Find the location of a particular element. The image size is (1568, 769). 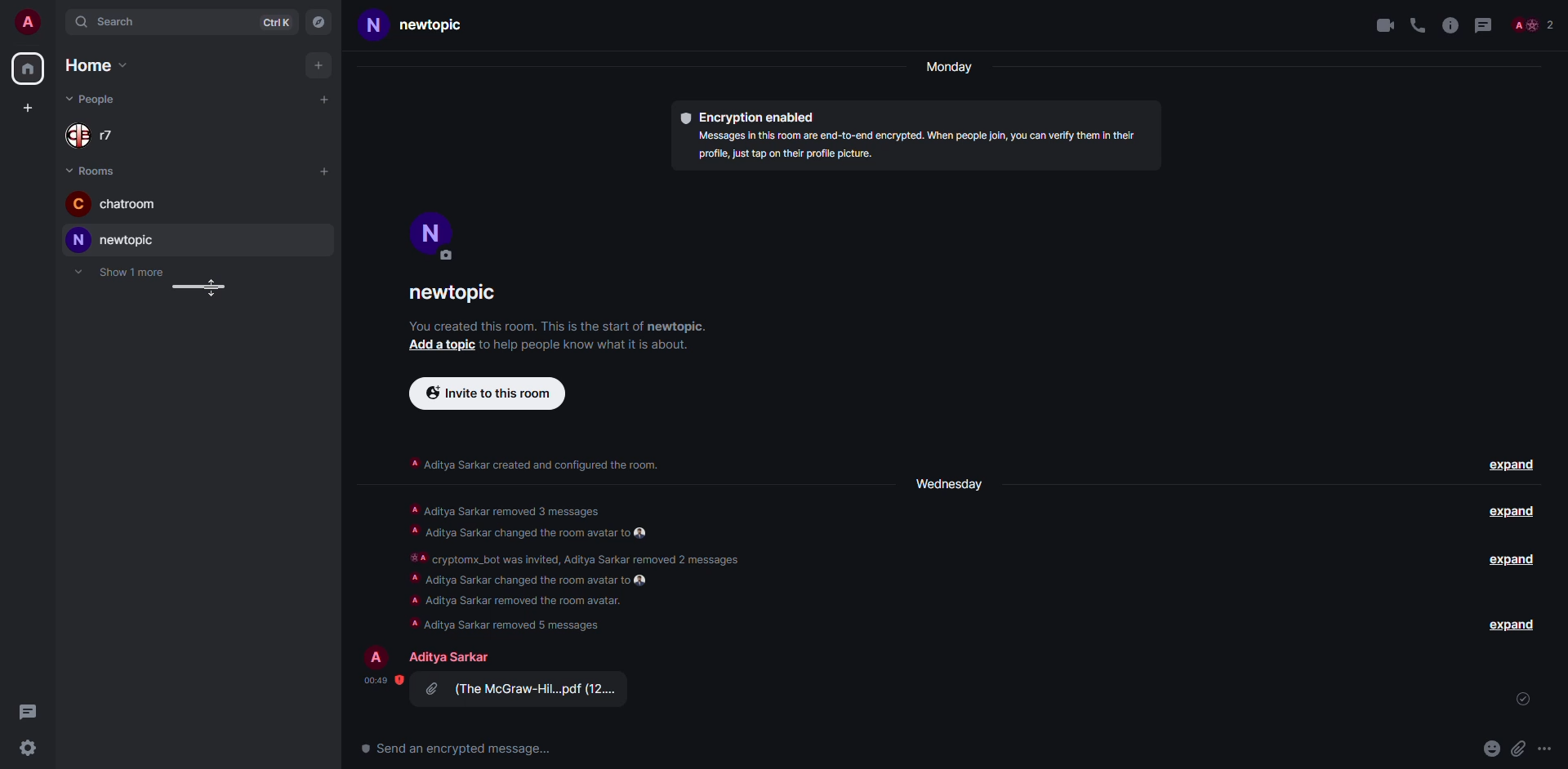

add is located at coordinates (326, 171).